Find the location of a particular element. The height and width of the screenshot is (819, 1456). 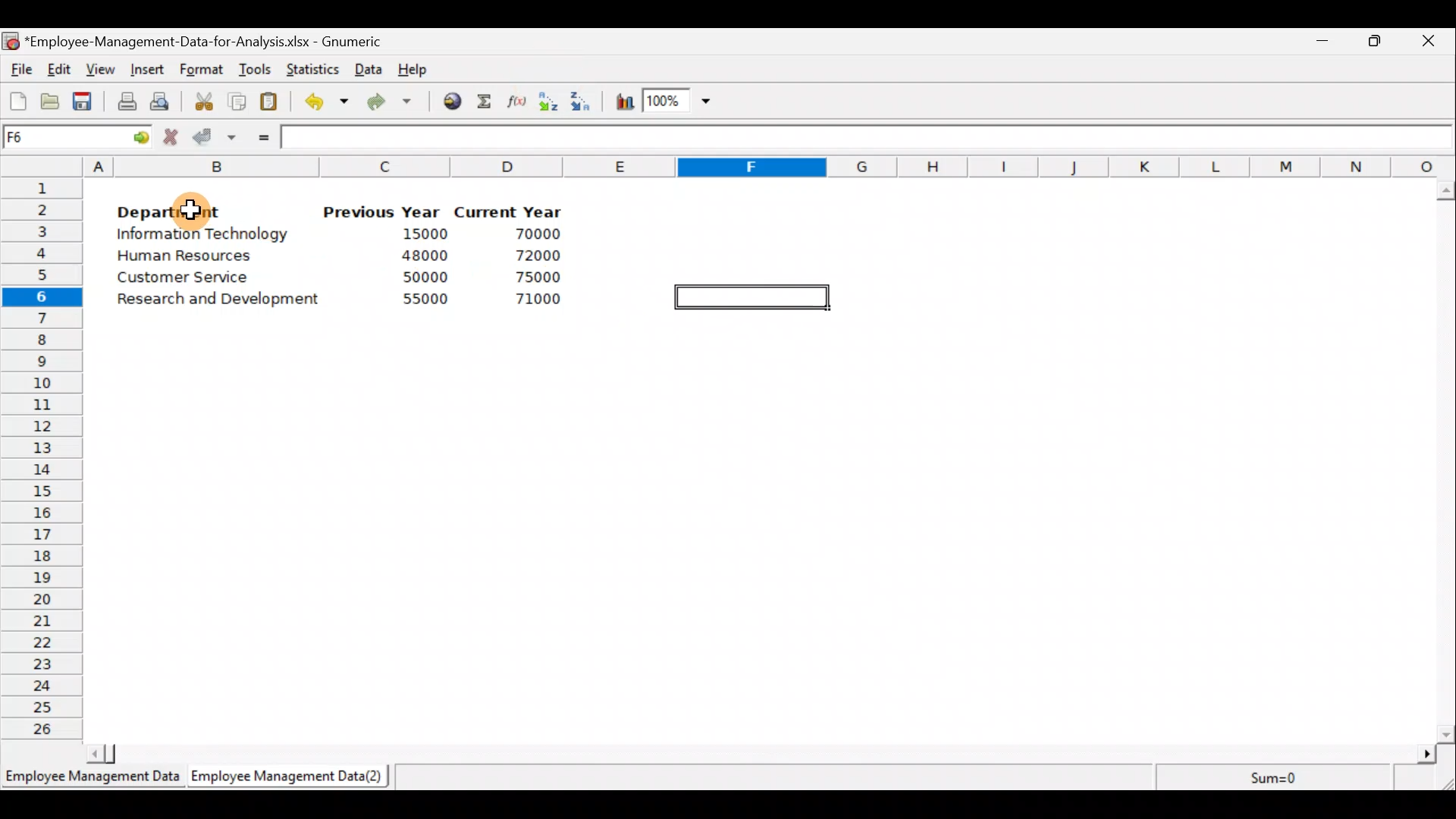

Insert is located at coordinates (146, 70).